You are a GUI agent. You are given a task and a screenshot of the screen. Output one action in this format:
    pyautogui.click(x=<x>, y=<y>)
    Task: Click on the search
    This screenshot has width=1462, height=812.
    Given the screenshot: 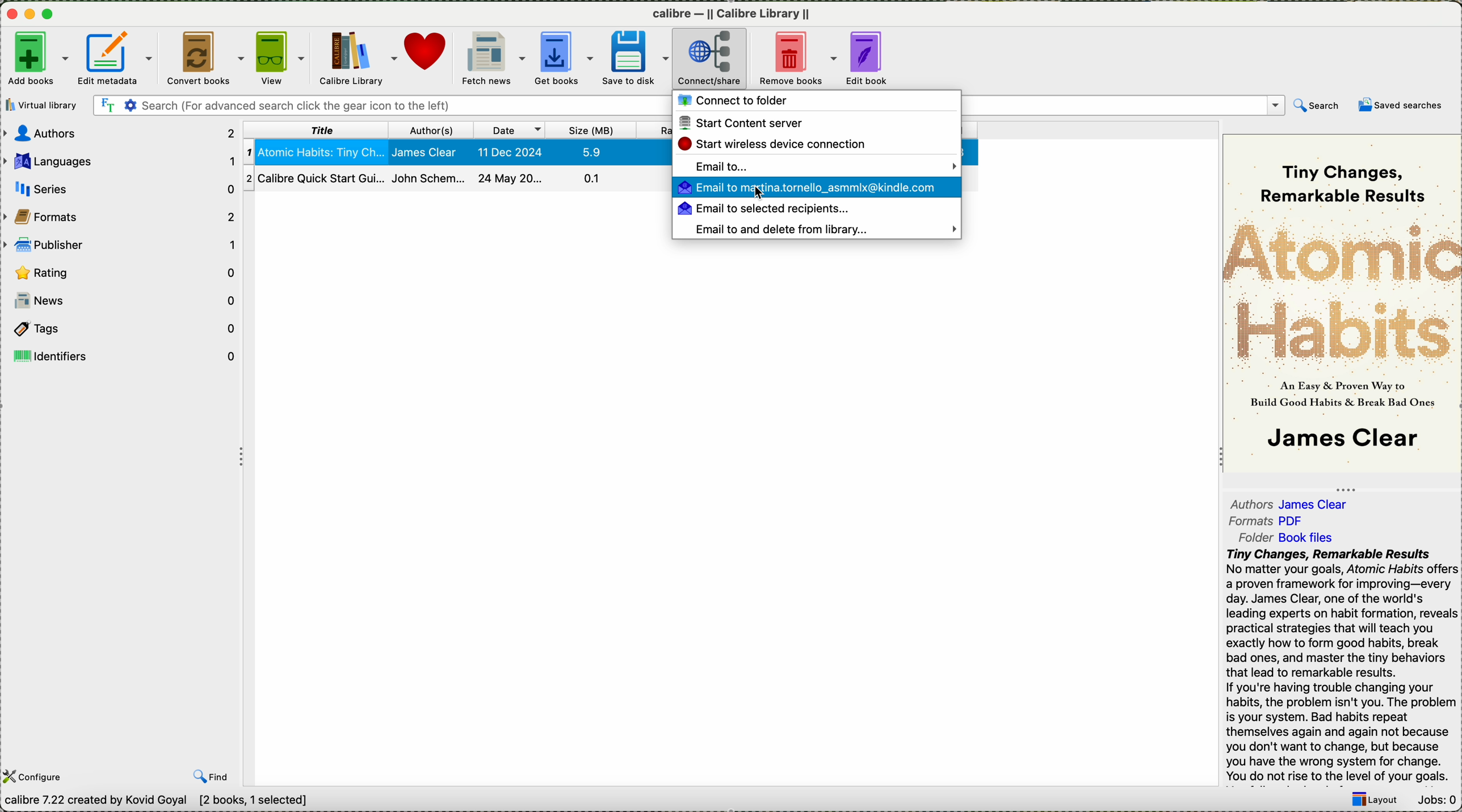 What is the action you would take?
    pyautogui.click(x=1316, y=106)
    